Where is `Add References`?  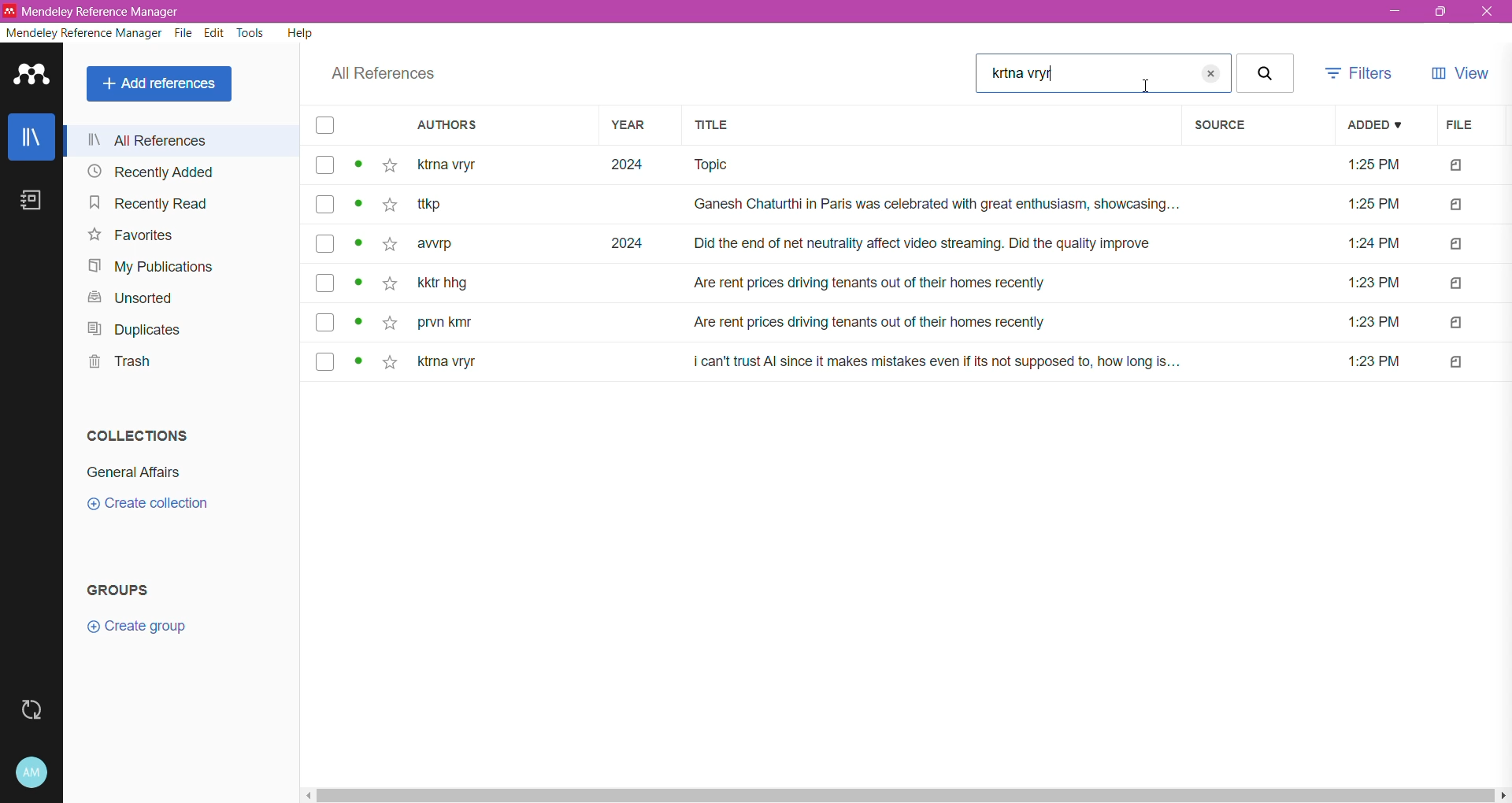
Add References is located at coordinates (159, 84).